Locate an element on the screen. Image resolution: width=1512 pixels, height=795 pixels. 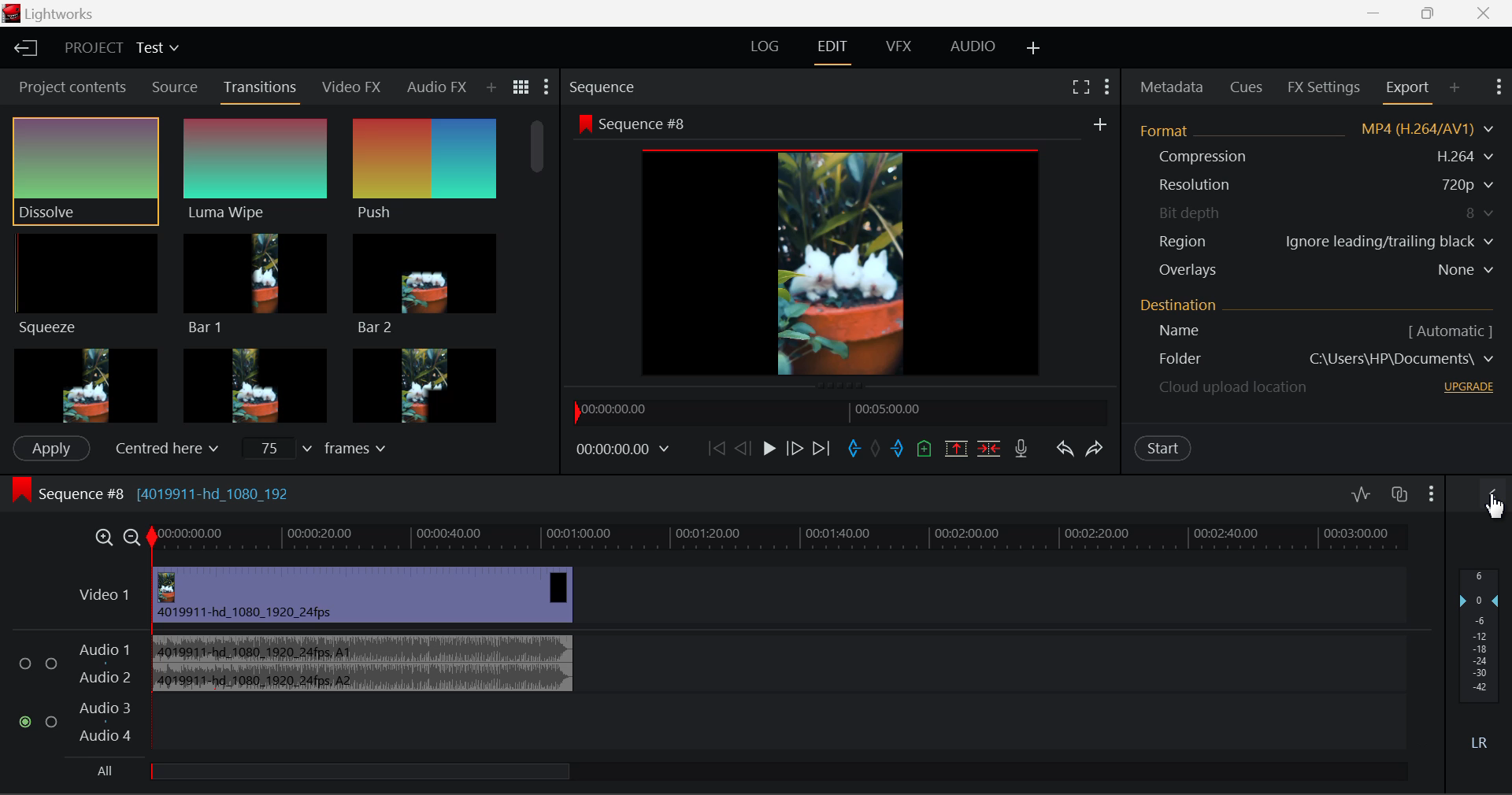
Timeline Zoom Out is located at coordinates (131, 538).